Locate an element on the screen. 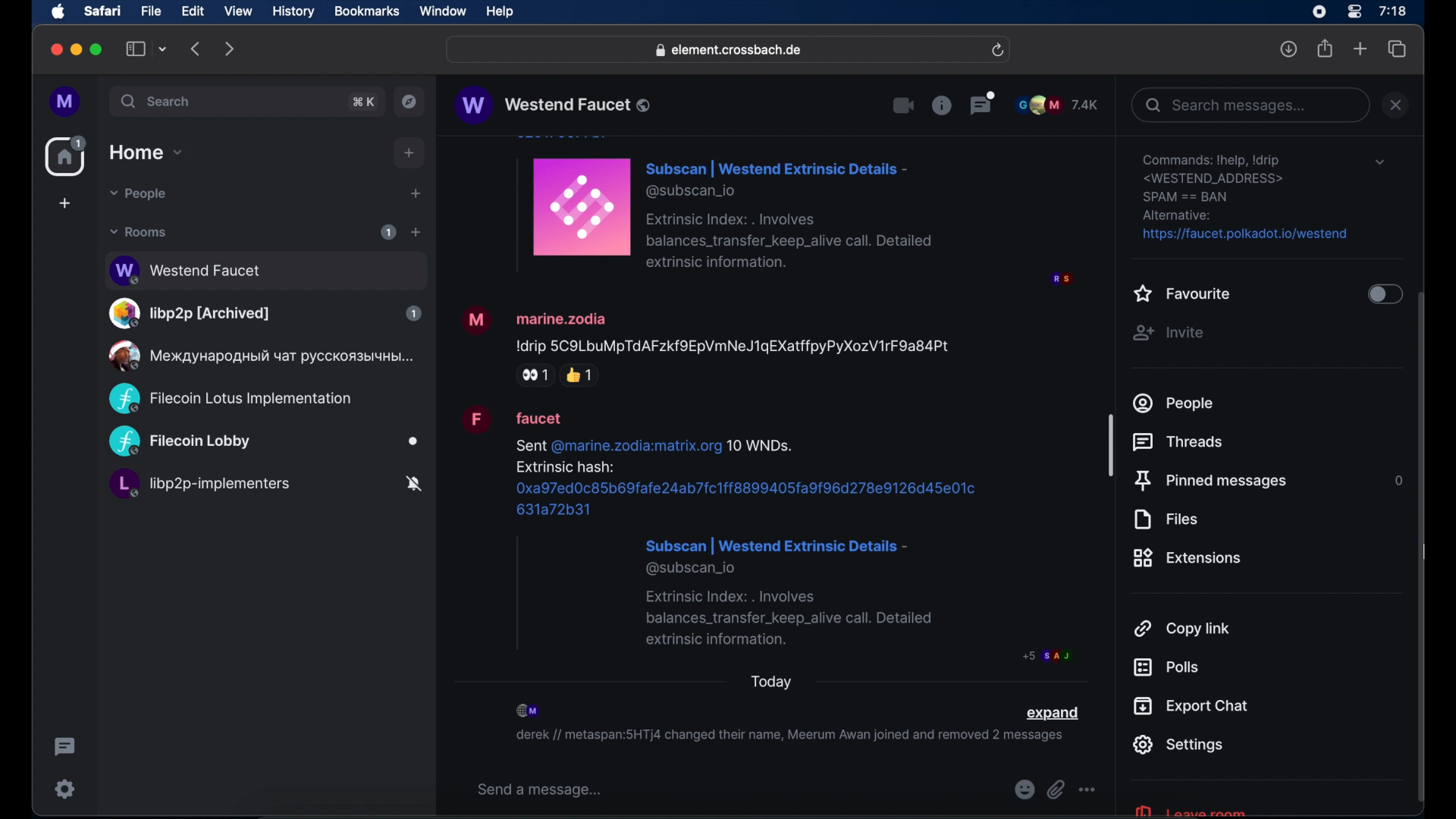 Image resolution: width=1456 pixels, height=819 pixels. emojis is located at coordinates (1023, 790).